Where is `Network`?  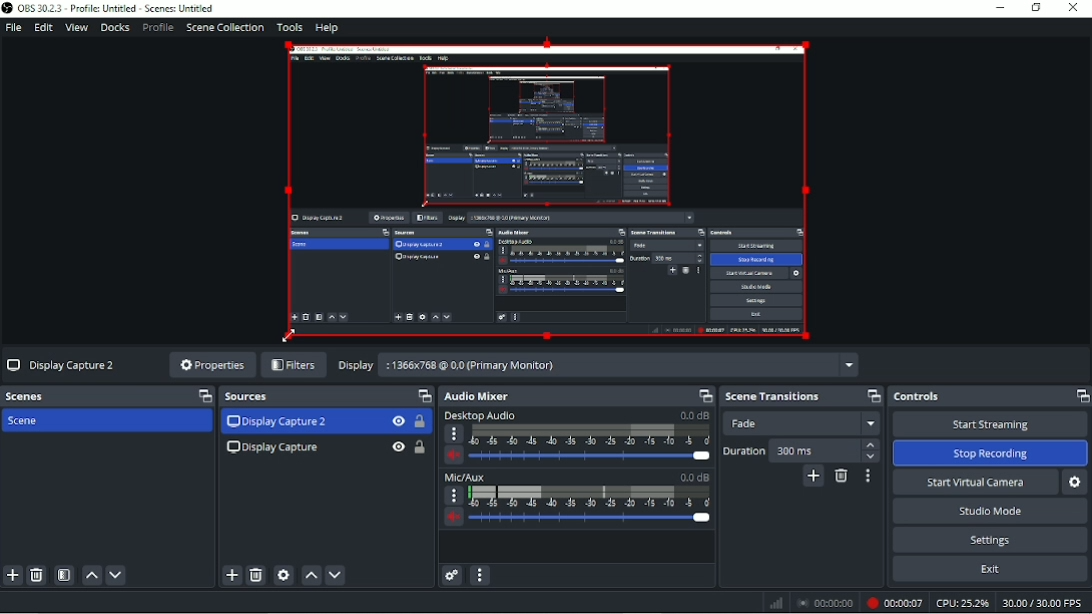 Network is located at coordinates (777, 602).